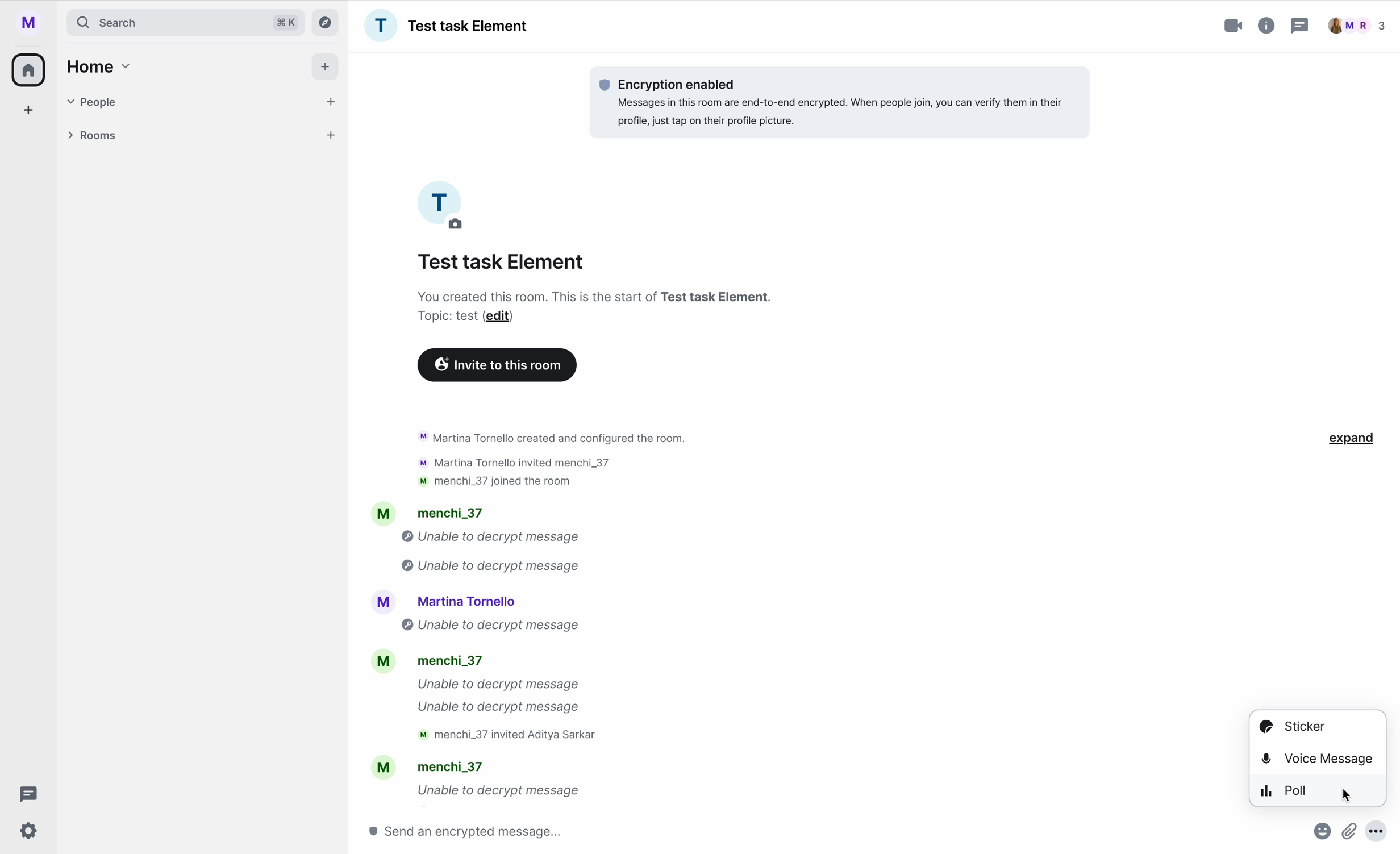 The height and width of the screenshot is (854, 1400). What do you see at coordinates (1291, 726) in the screenshot?
I see `sticker` at bounding box center [1291, 726].